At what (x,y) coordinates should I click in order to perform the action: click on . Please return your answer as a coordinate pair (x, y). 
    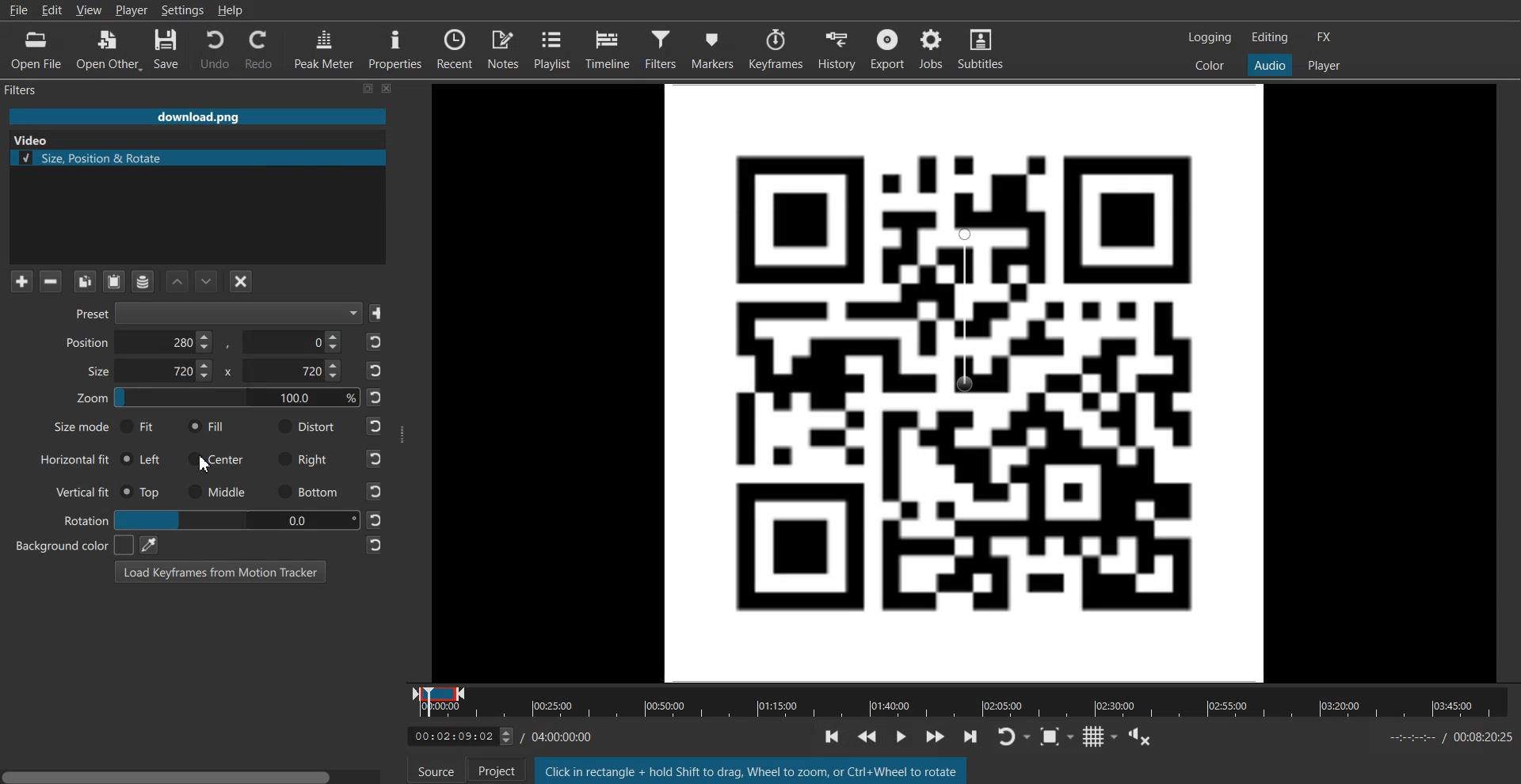
    Looking at the image, I should click on (932, 48).